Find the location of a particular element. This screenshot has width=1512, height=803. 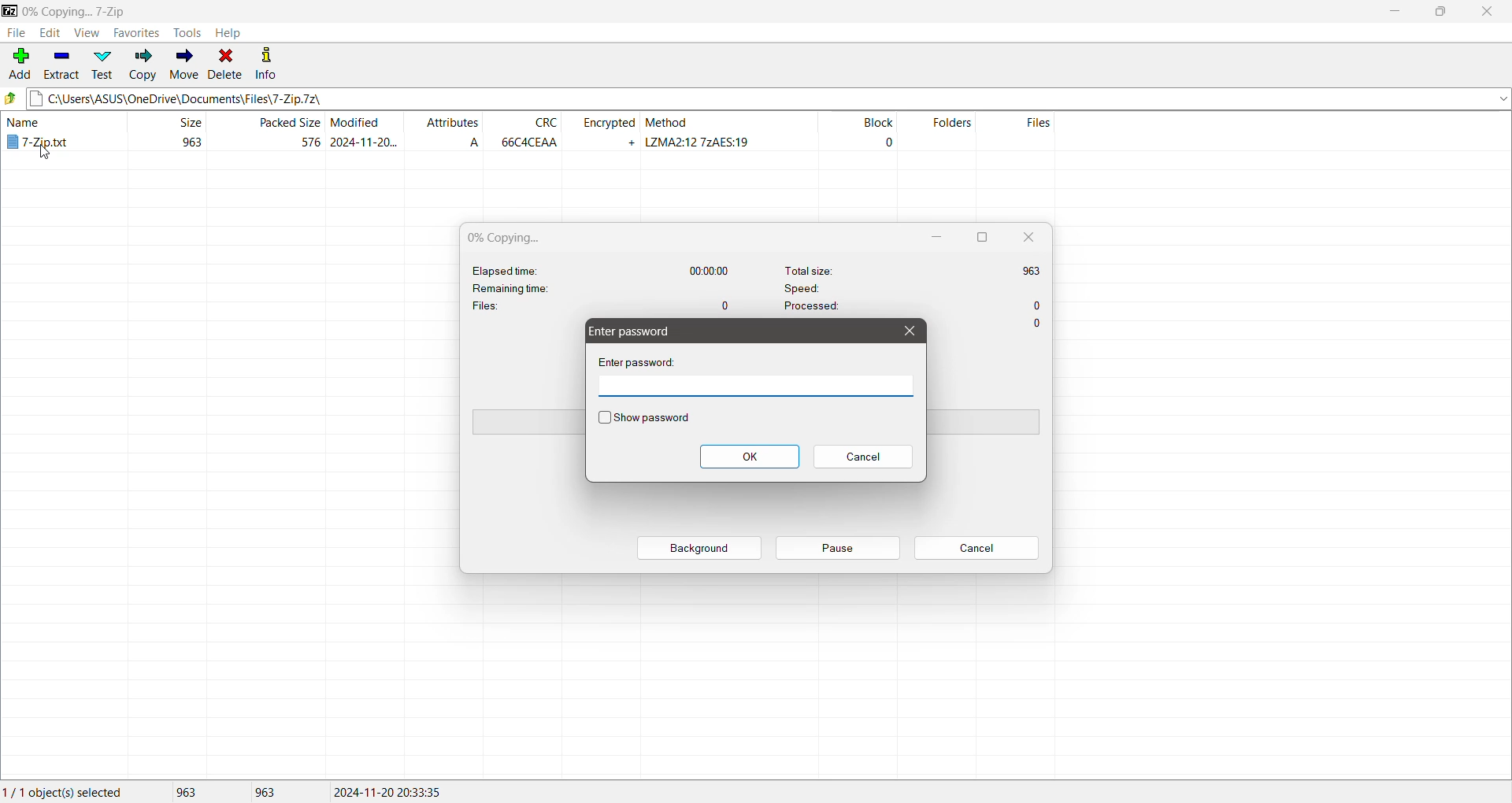

OK is located at coordinates (749, 456).